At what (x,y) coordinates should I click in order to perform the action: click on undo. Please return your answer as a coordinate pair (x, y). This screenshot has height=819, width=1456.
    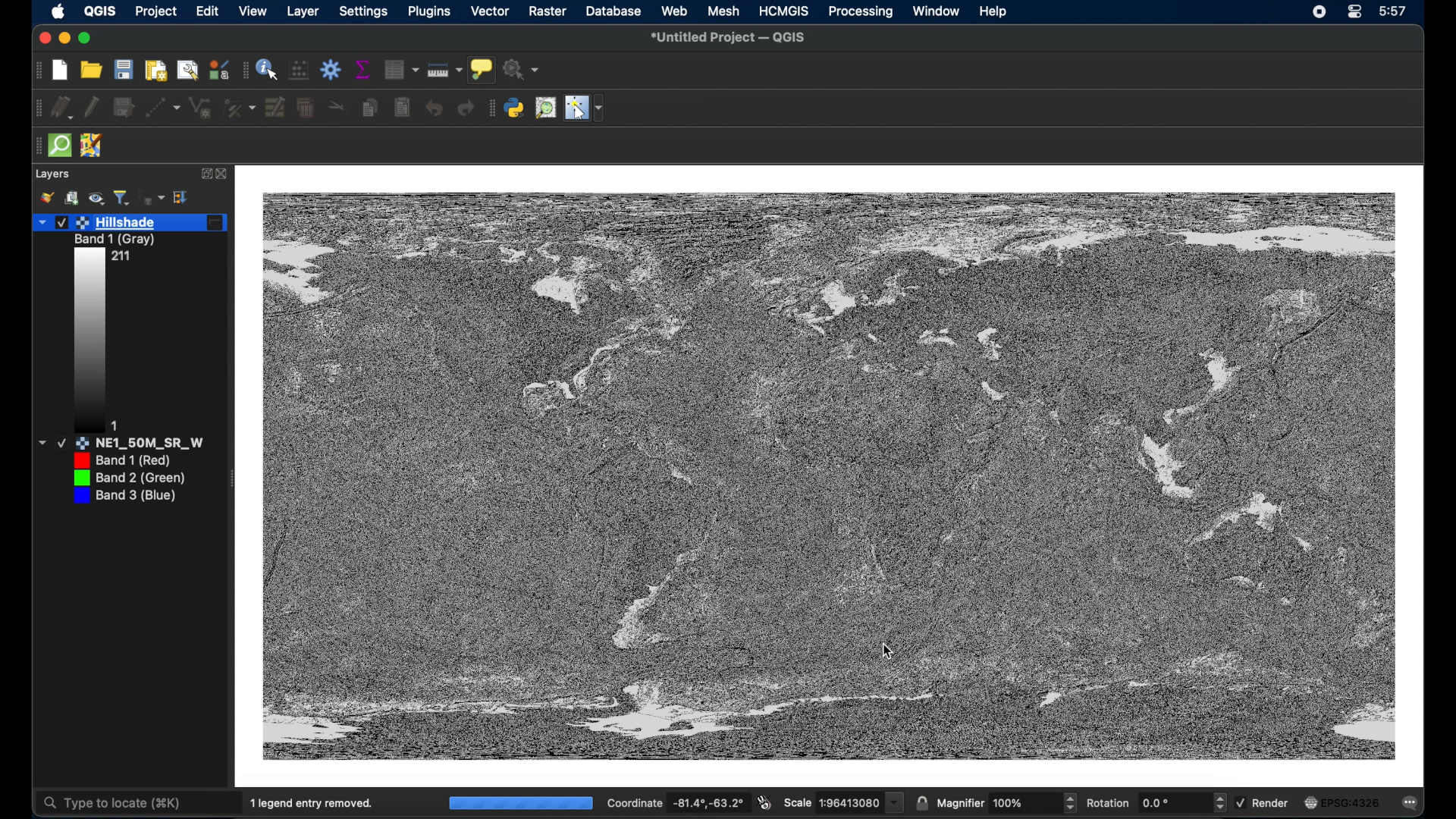
    Looking at the image, I should click on (434, 108).